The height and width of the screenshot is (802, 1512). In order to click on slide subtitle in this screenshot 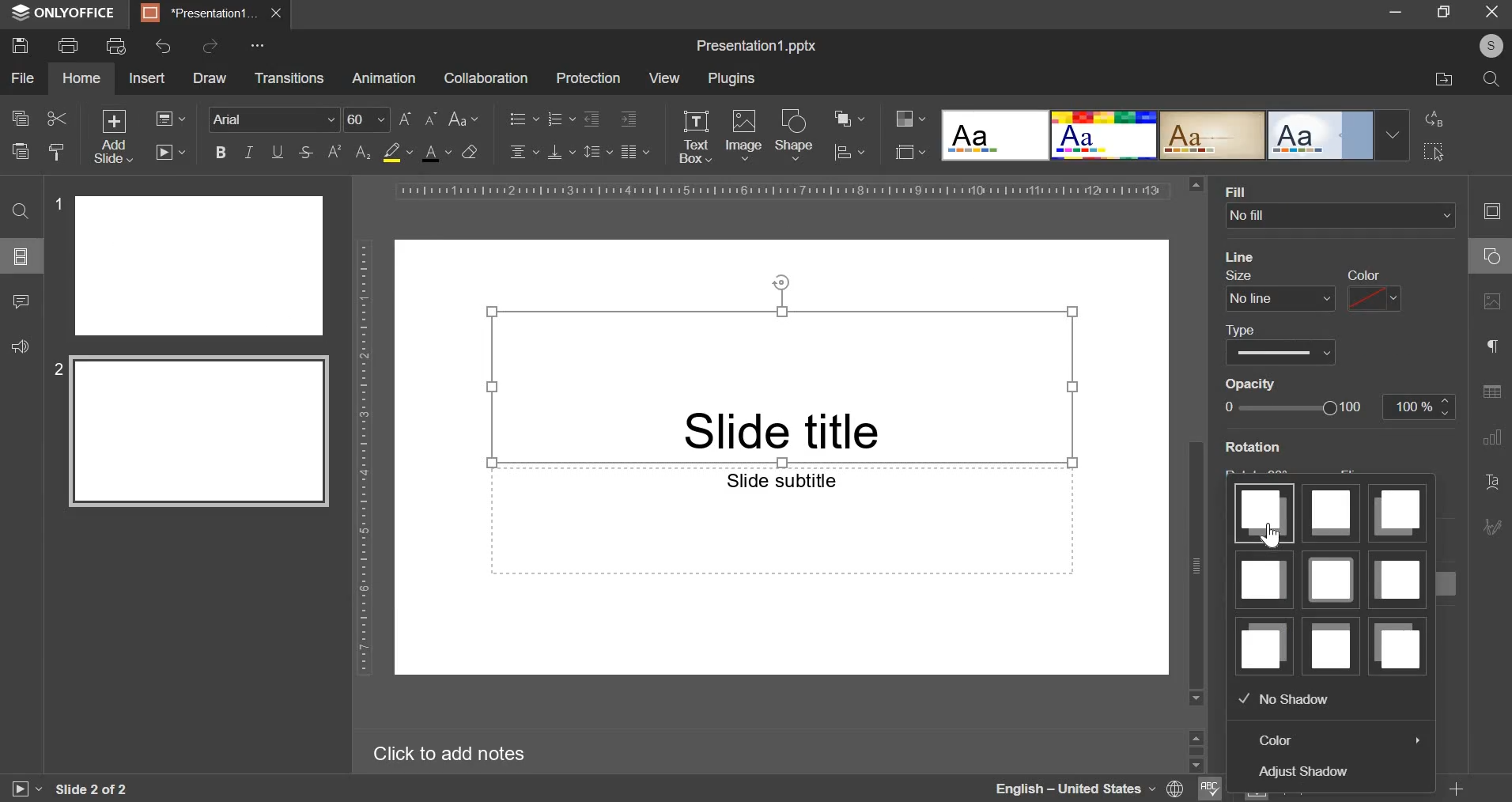, I will do `click(781, 520)`.